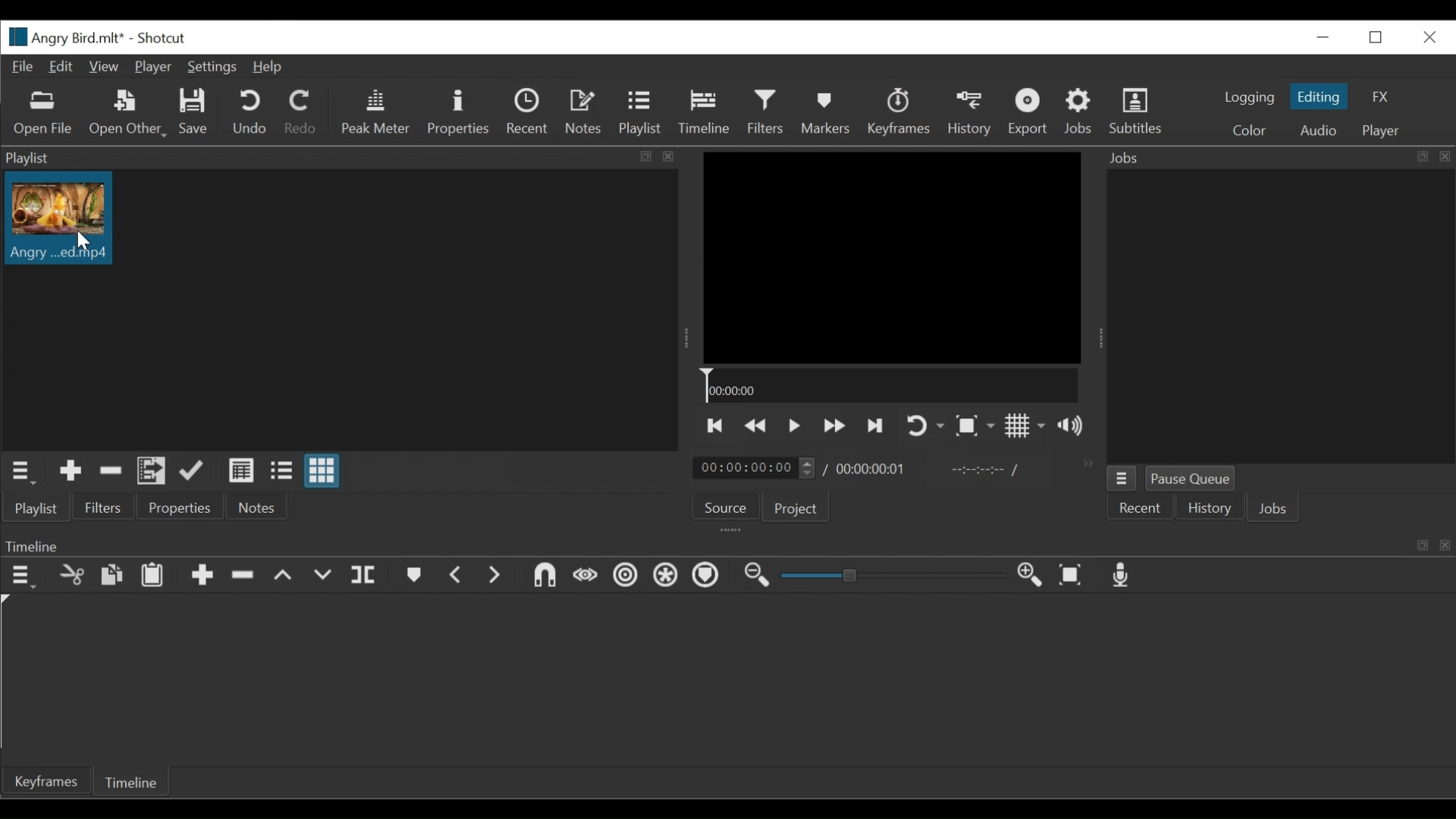  I want to click on Edit, so click(61, 67).